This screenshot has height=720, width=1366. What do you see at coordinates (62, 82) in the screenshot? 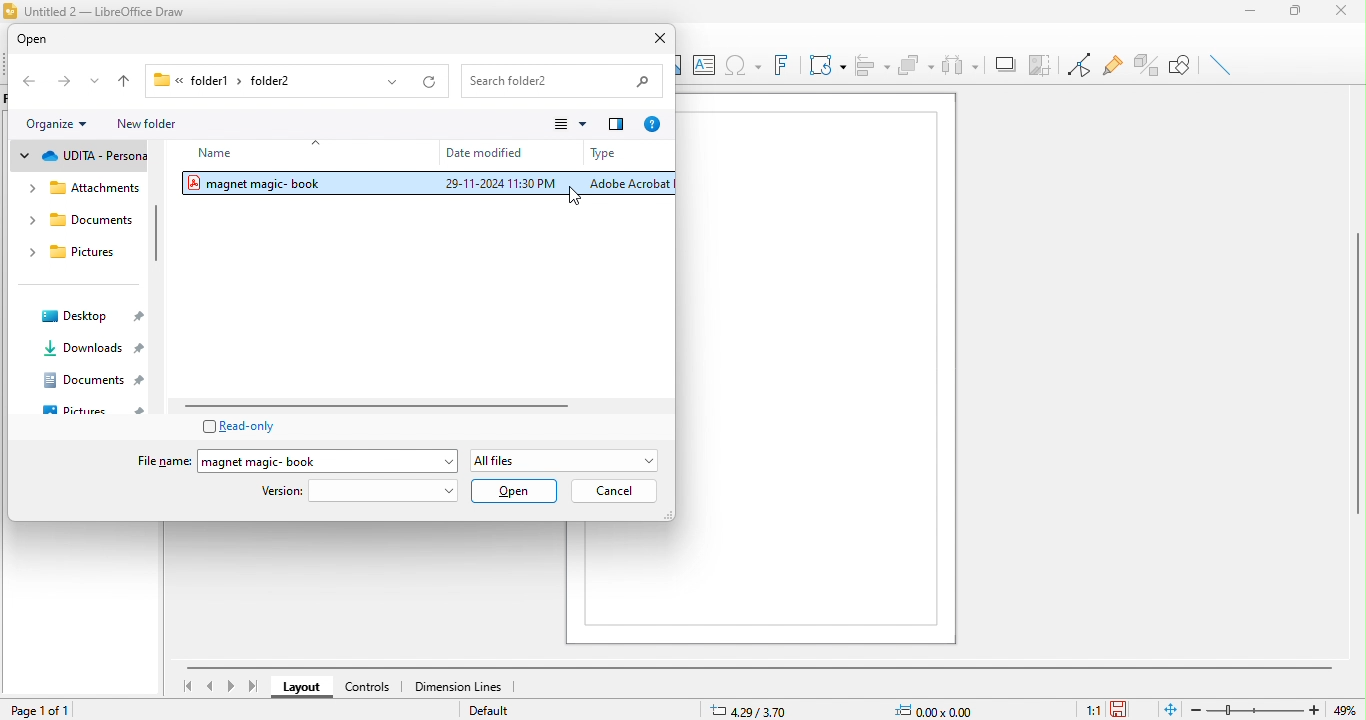
I see `forward` at bounding box center [62, 82].